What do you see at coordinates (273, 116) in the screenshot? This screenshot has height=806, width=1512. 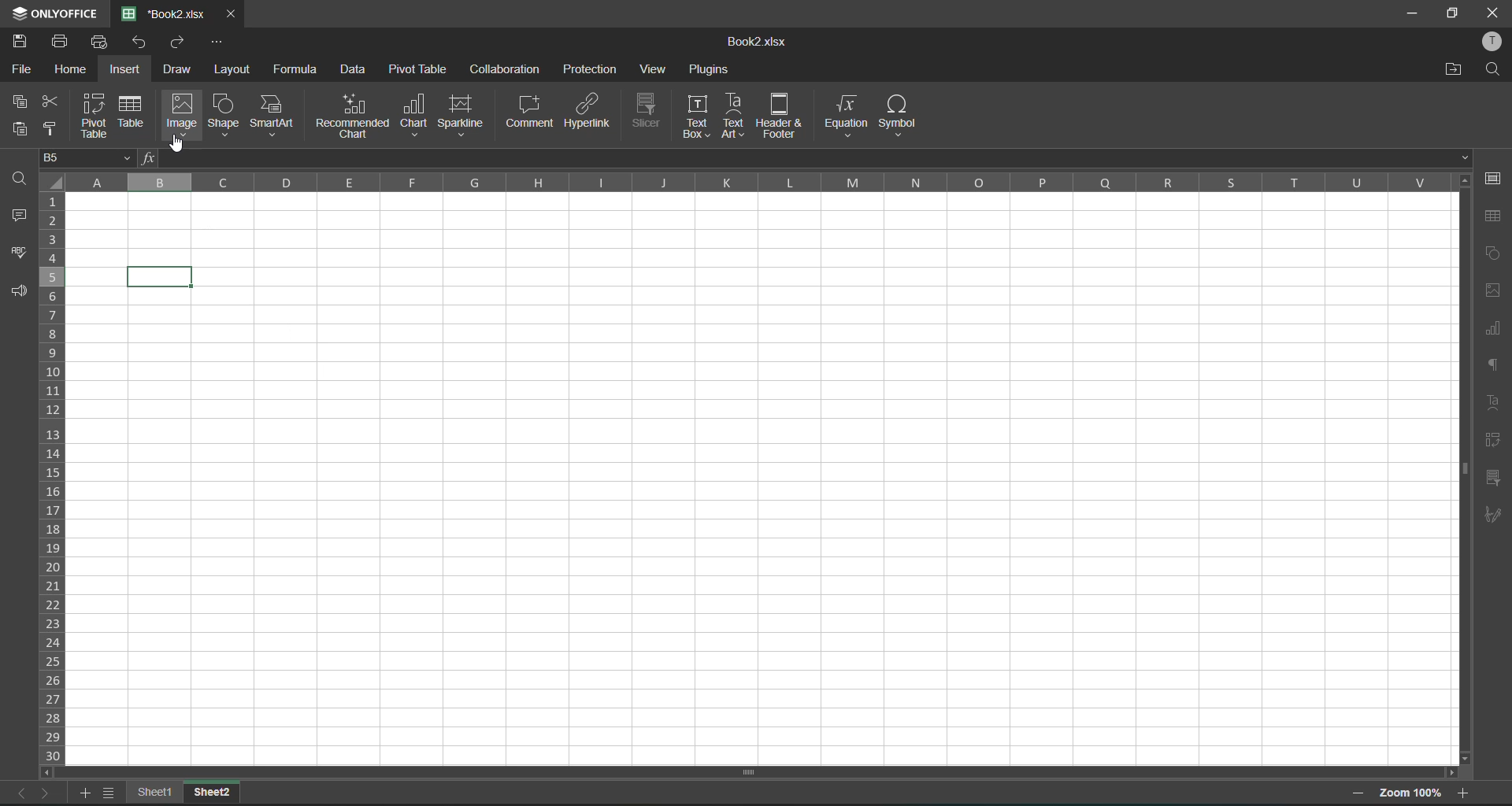 I see `smart art` at bounding box center [273, 116].